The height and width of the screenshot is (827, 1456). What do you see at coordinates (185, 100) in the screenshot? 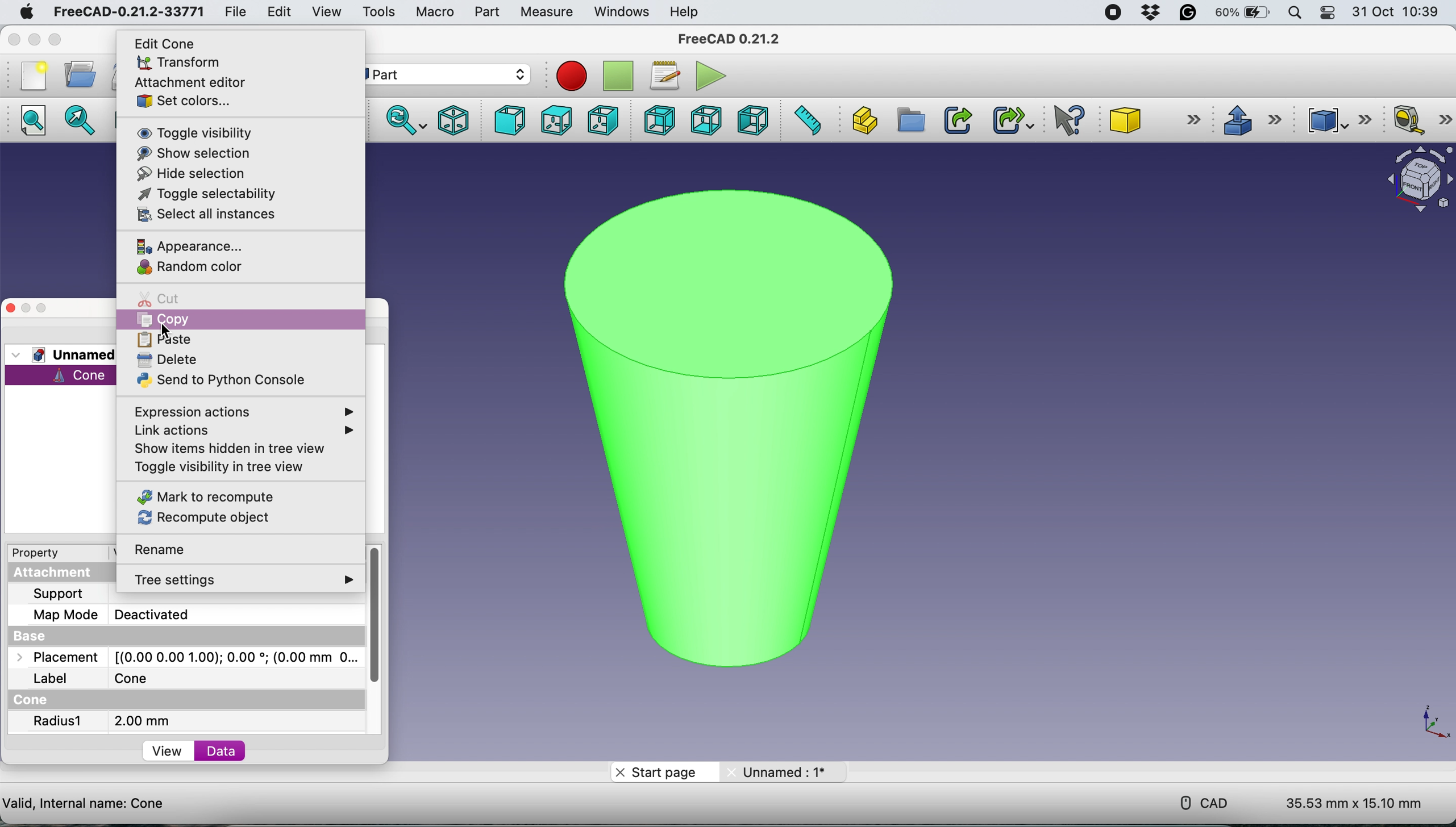
I see `set colors` at bounding box center [185, 100].